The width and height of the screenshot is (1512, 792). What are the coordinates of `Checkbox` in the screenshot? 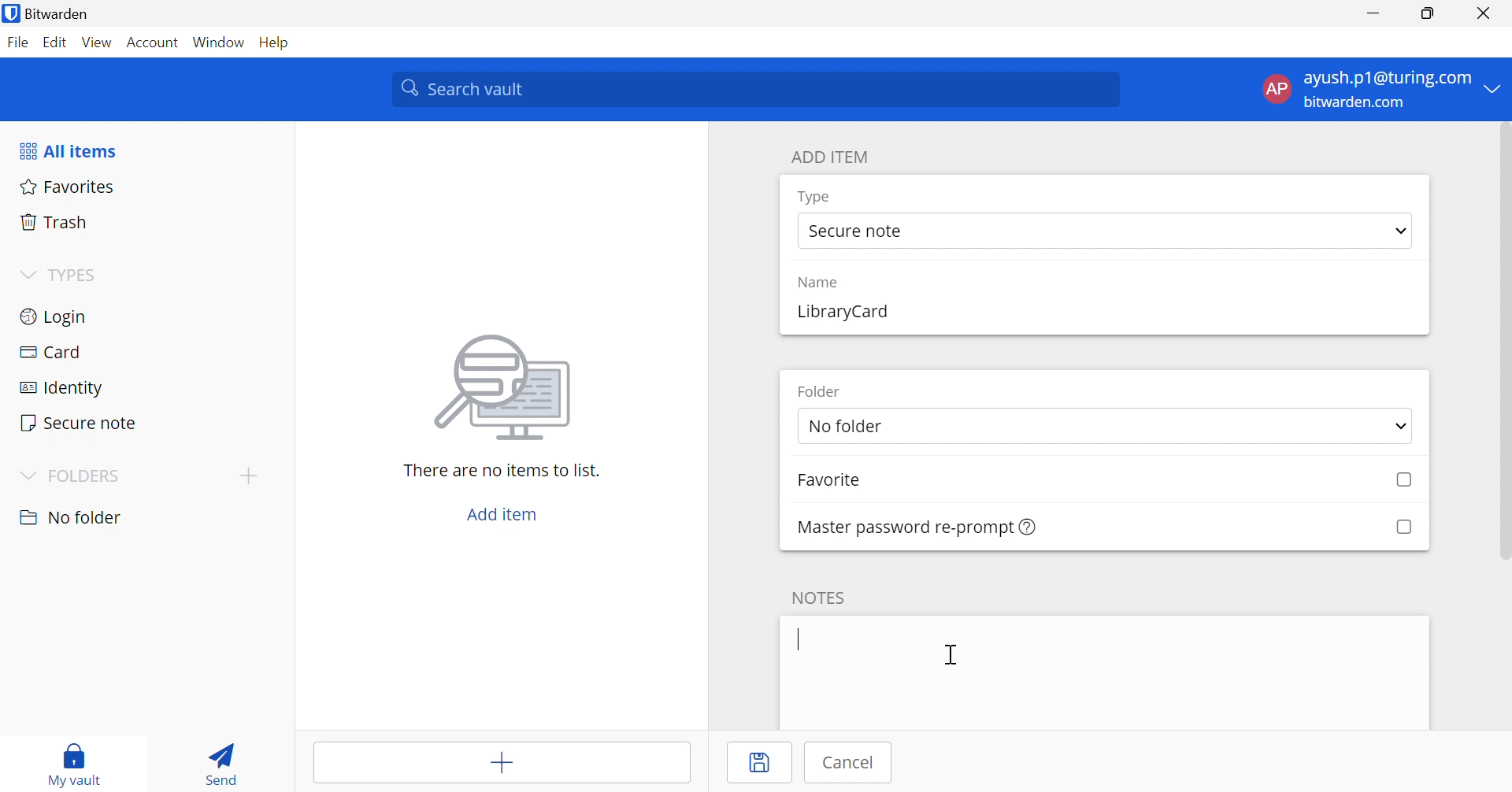 It's located at (1405, 482).